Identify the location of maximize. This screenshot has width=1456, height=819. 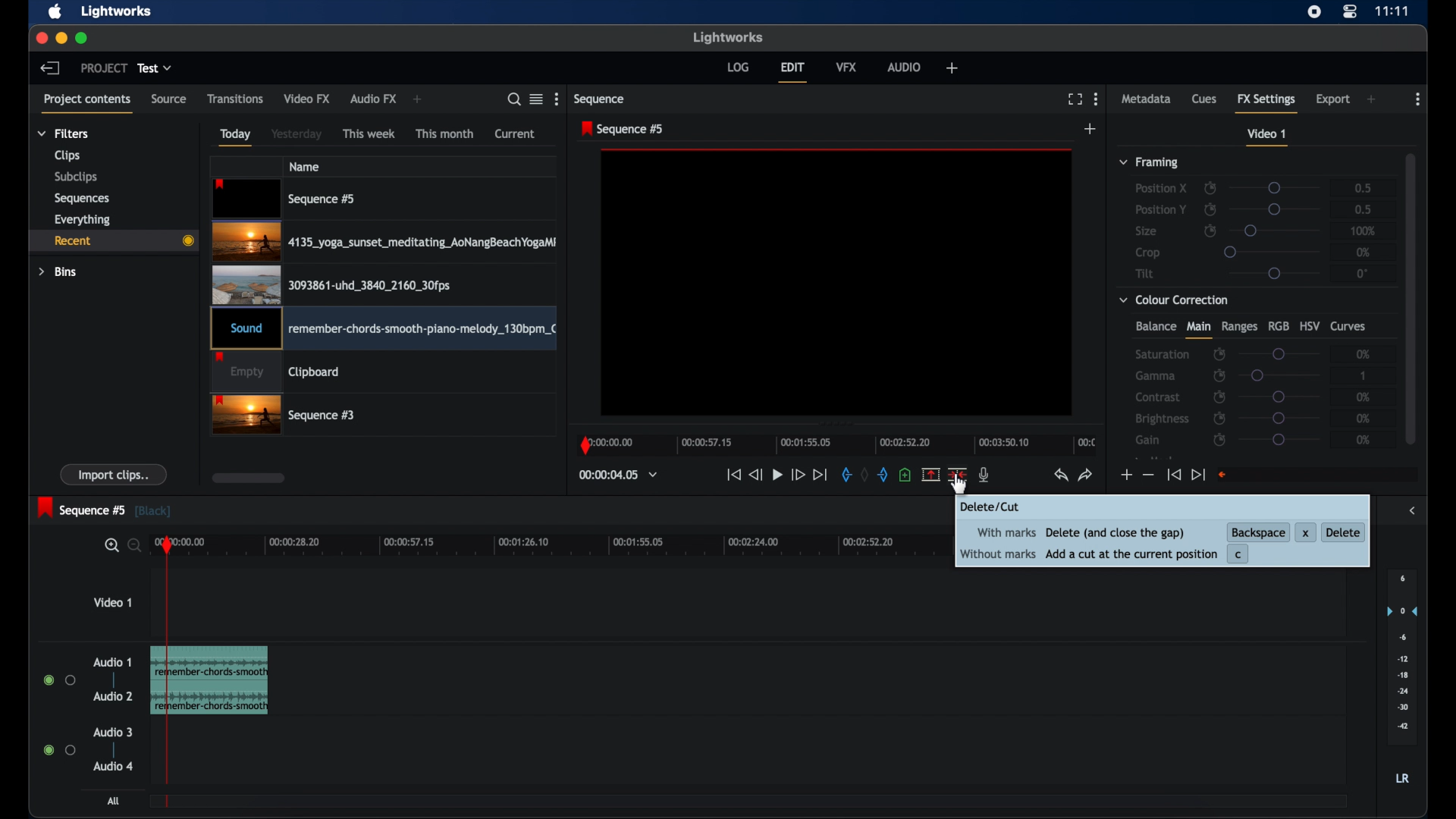
(82, 39).